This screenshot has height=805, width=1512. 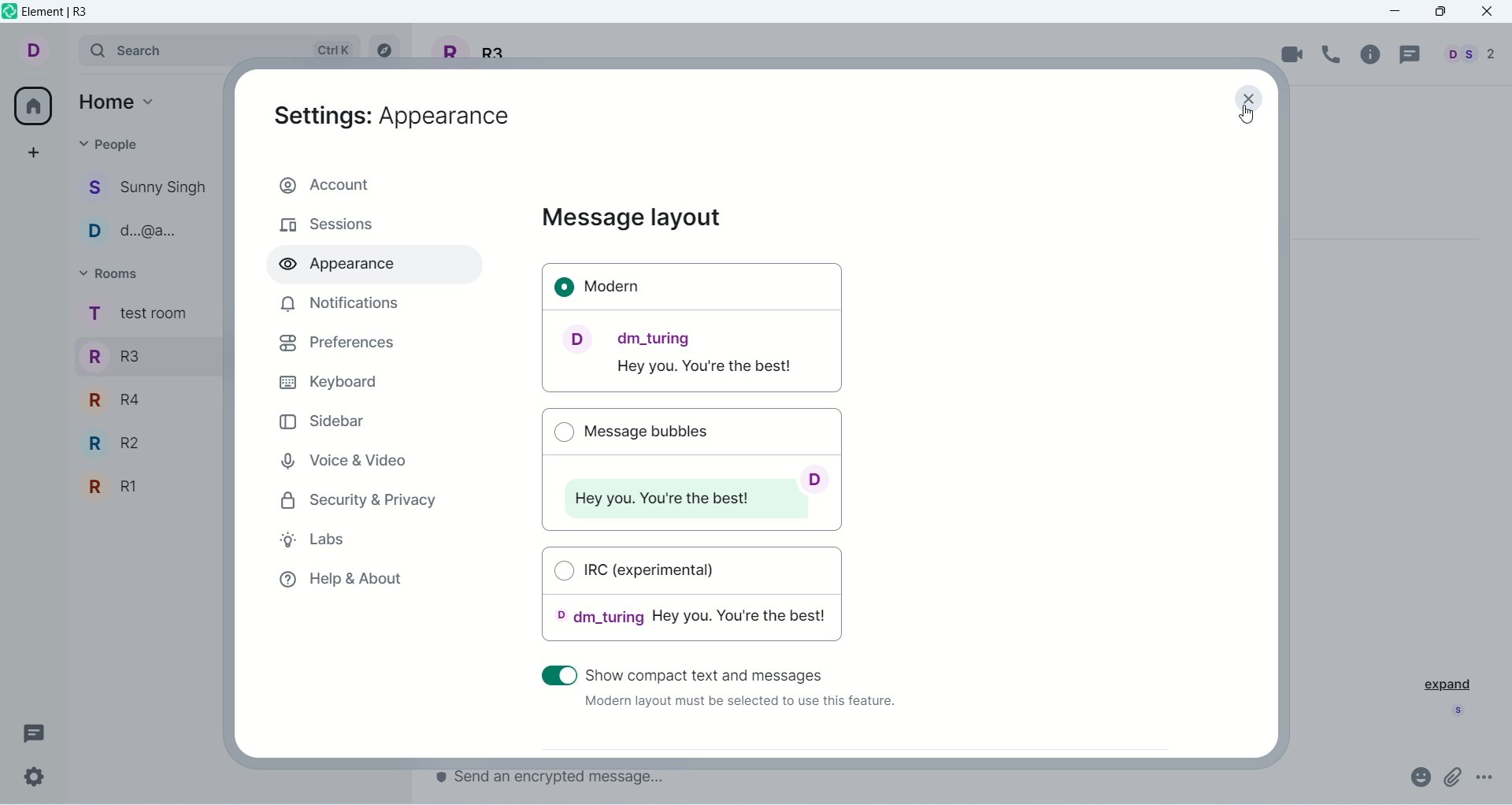 What do you see at coordinates (1251, 101) in the screenshot?
I see `Close` at bounding box center [1251, 101].